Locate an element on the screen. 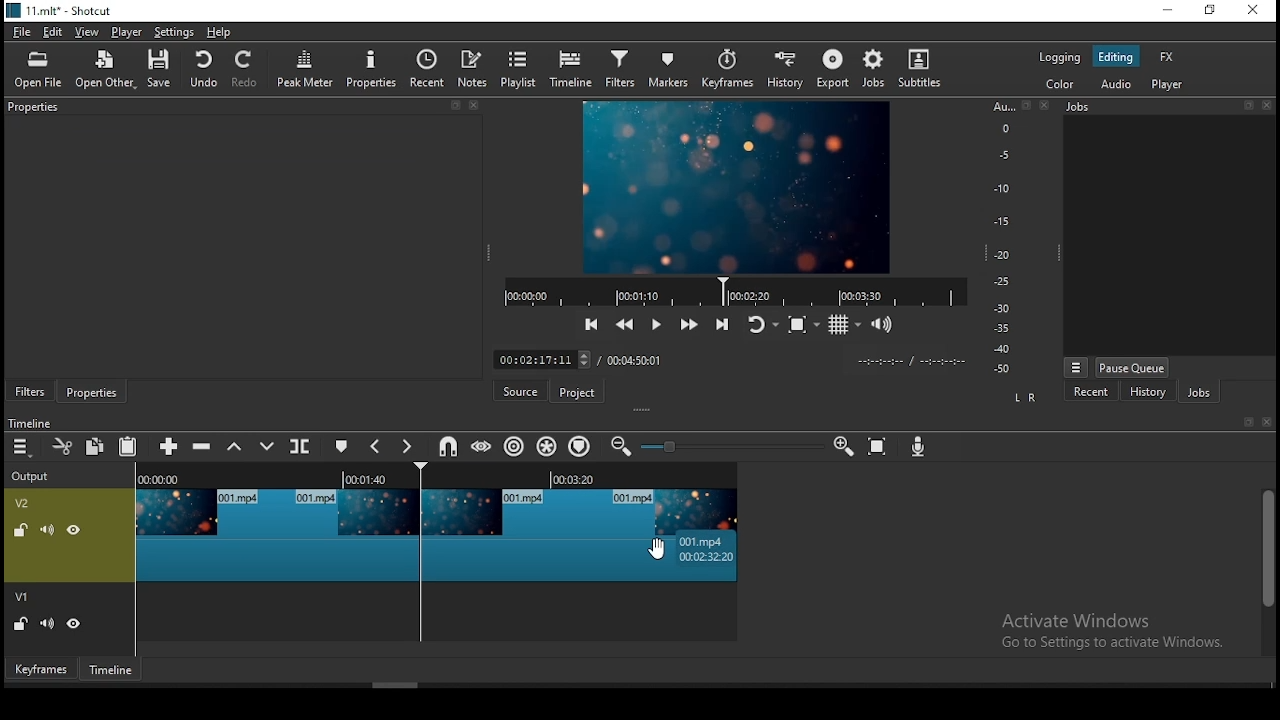 The image size is (1280, 720). minimize is located at coordinates (1166, 11).